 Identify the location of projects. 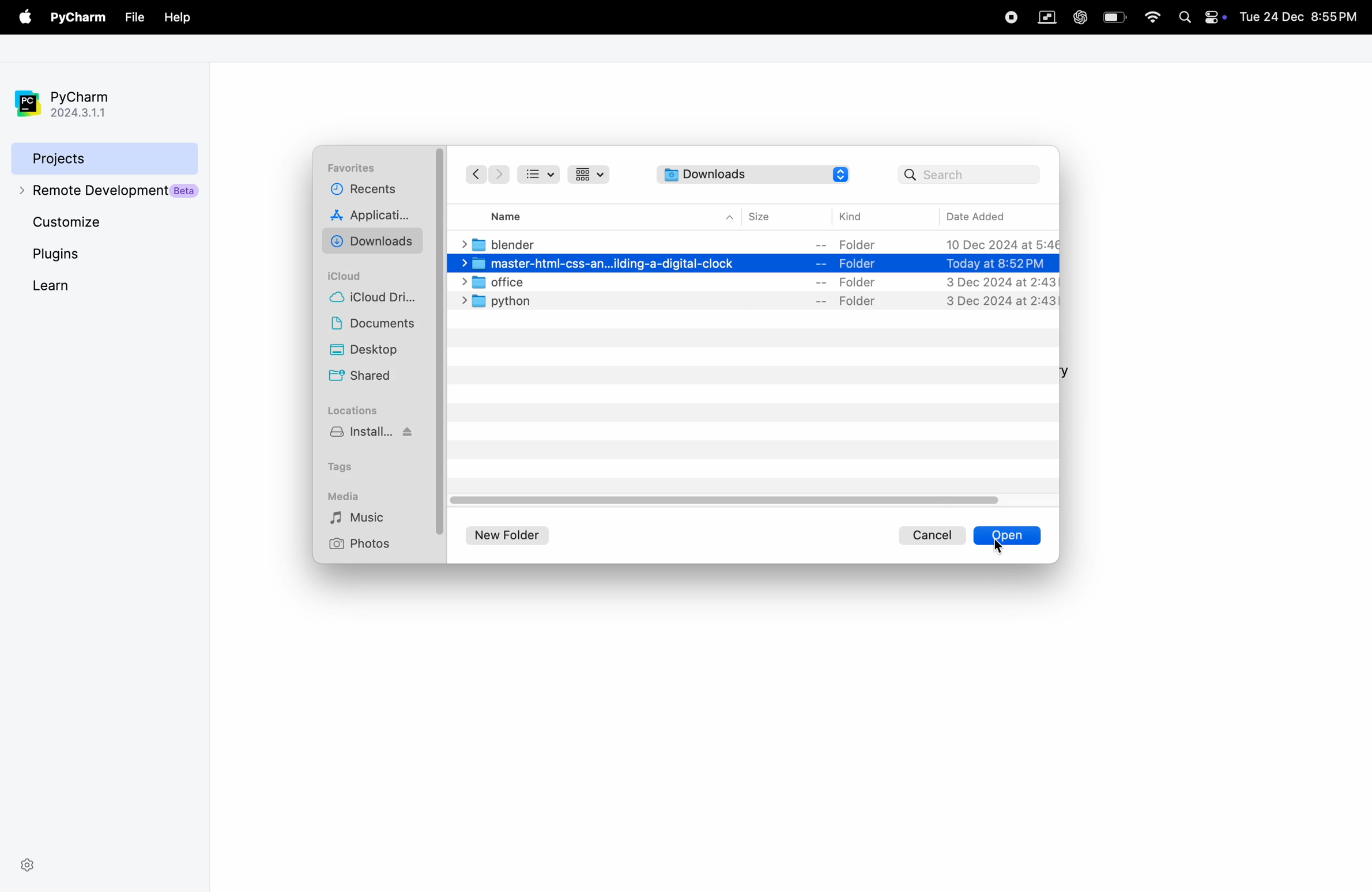
(101, 157).